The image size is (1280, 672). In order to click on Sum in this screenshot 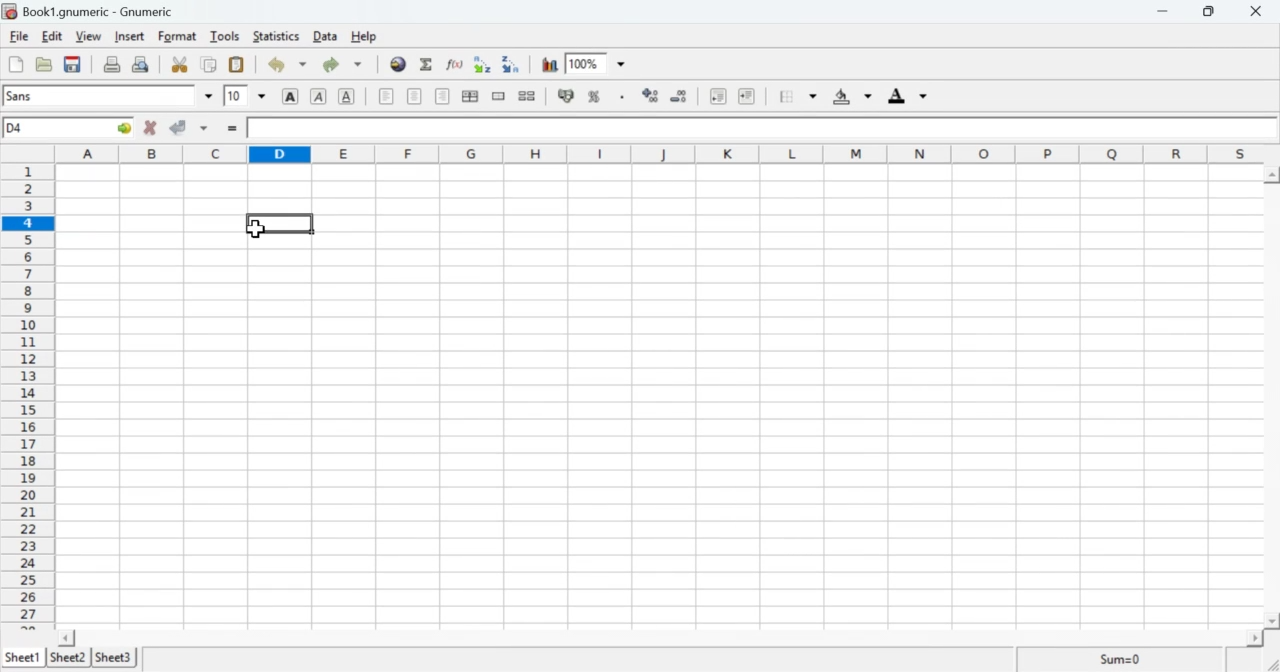, I will do `click(1118, 659)`.